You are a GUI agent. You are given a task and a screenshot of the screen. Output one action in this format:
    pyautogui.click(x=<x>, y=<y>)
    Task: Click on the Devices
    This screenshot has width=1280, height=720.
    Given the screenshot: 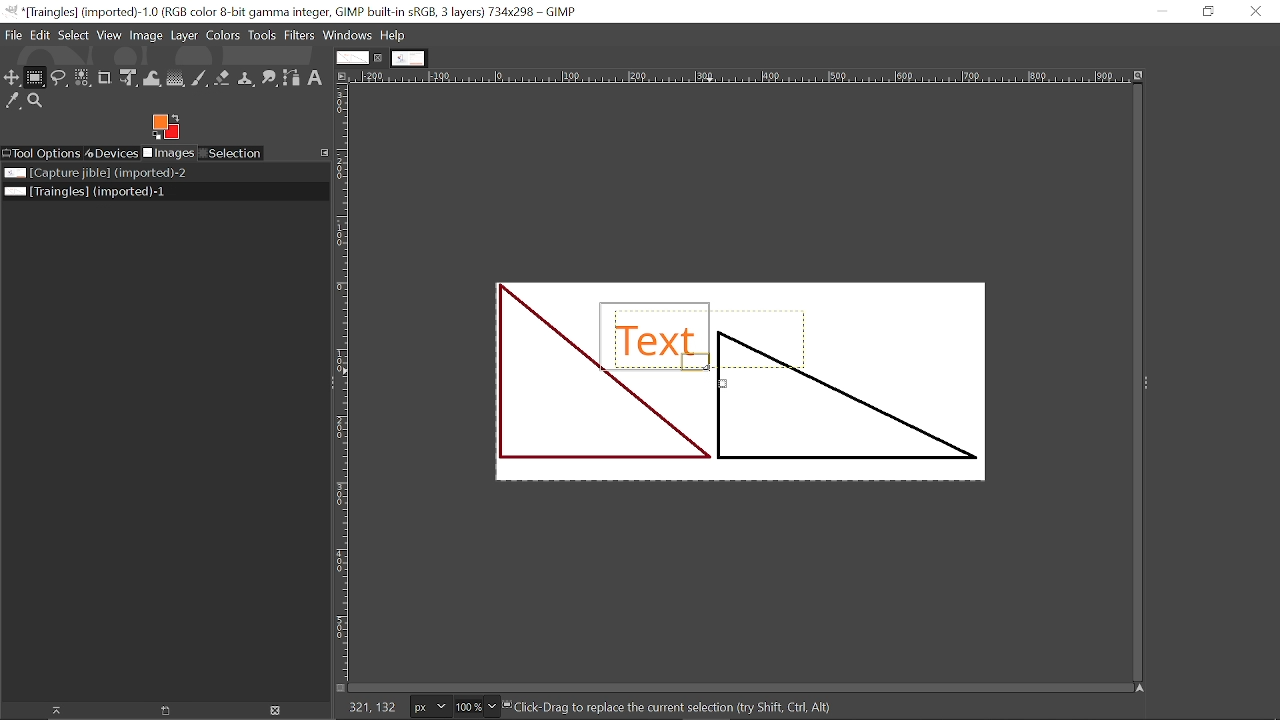 What is the action you would take?
    pyautogui.click(x=111, y=152)
    